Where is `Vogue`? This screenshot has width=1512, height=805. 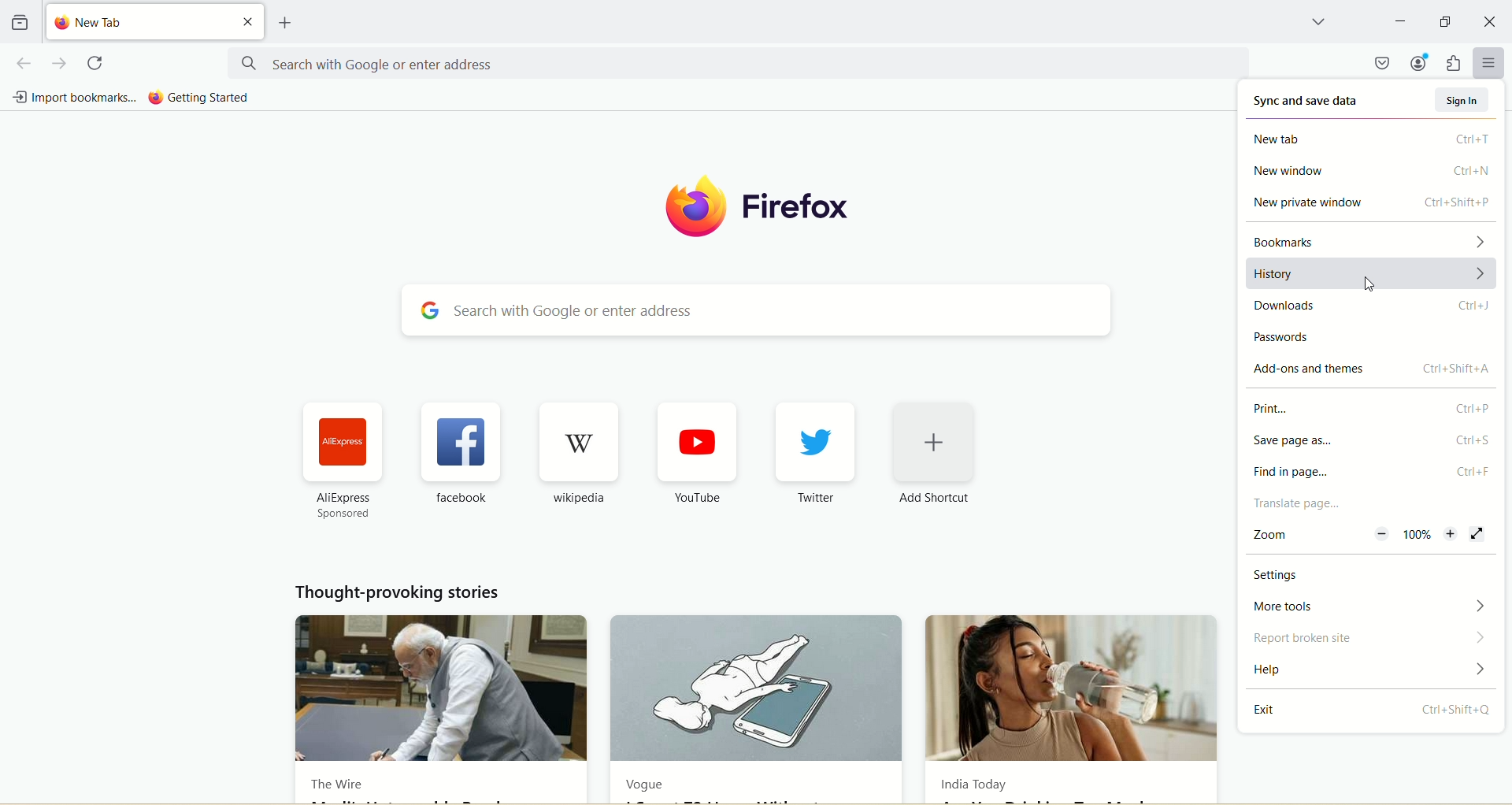
Vogue is located at coordinates (758, 689).